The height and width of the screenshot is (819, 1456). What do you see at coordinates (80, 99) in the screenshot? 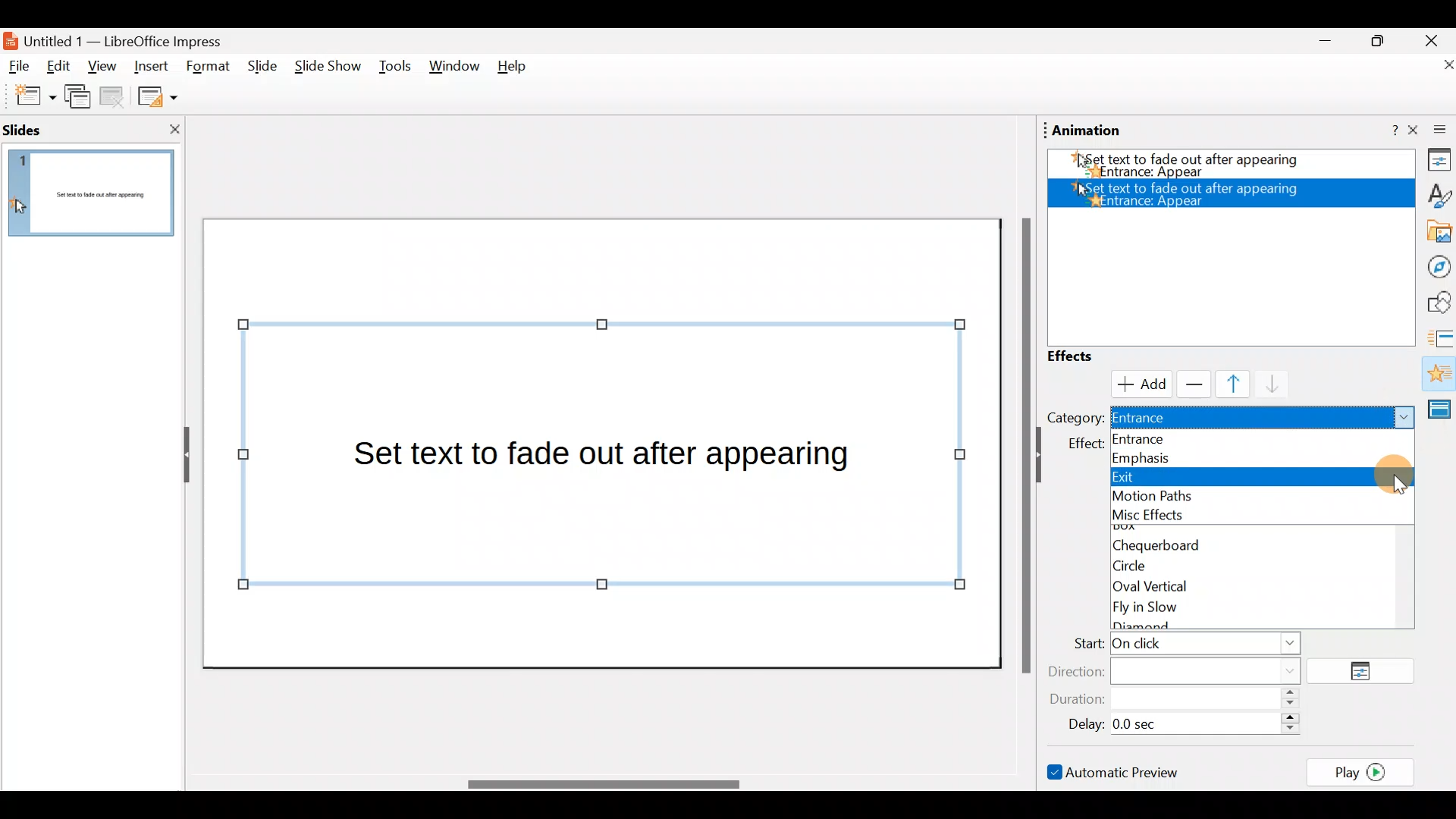
I see `Duplicate slide` at bounding box center [80, 99].